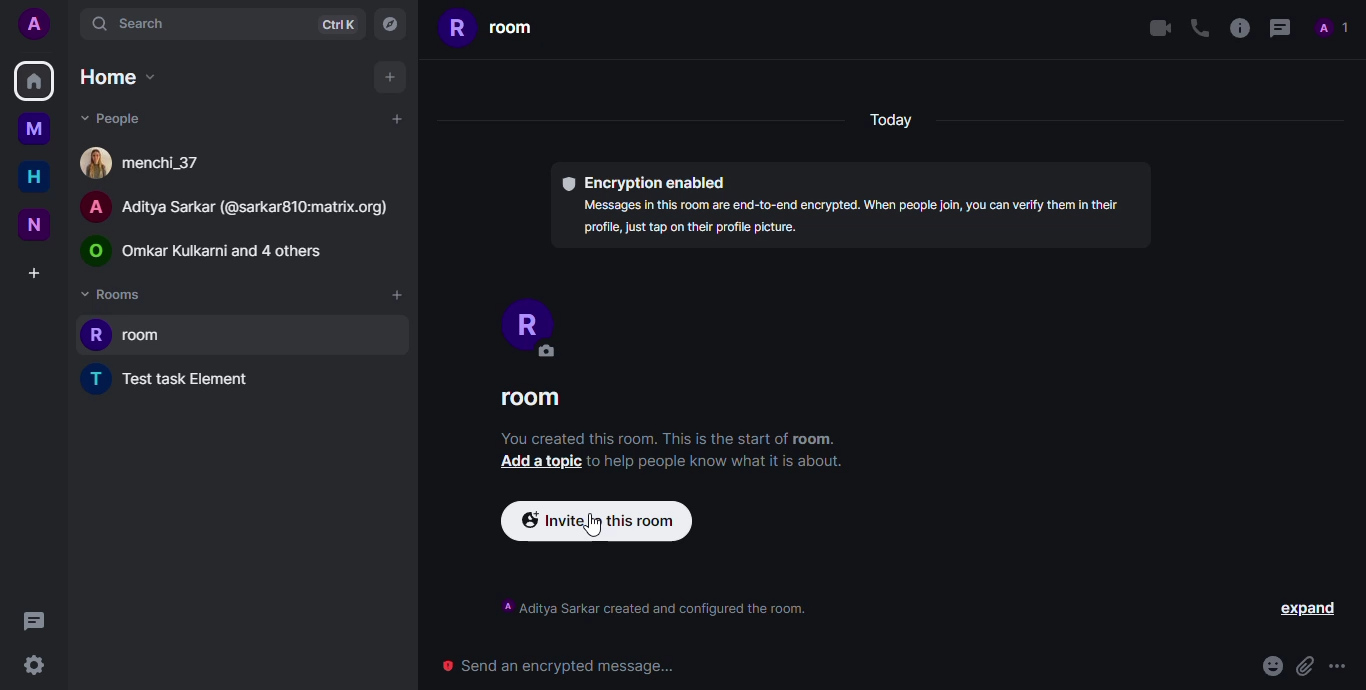 This screenshot has width=1366, height=690. Describe the element at coordinates (396, 297) in the screenshot. I see `add` at that location.